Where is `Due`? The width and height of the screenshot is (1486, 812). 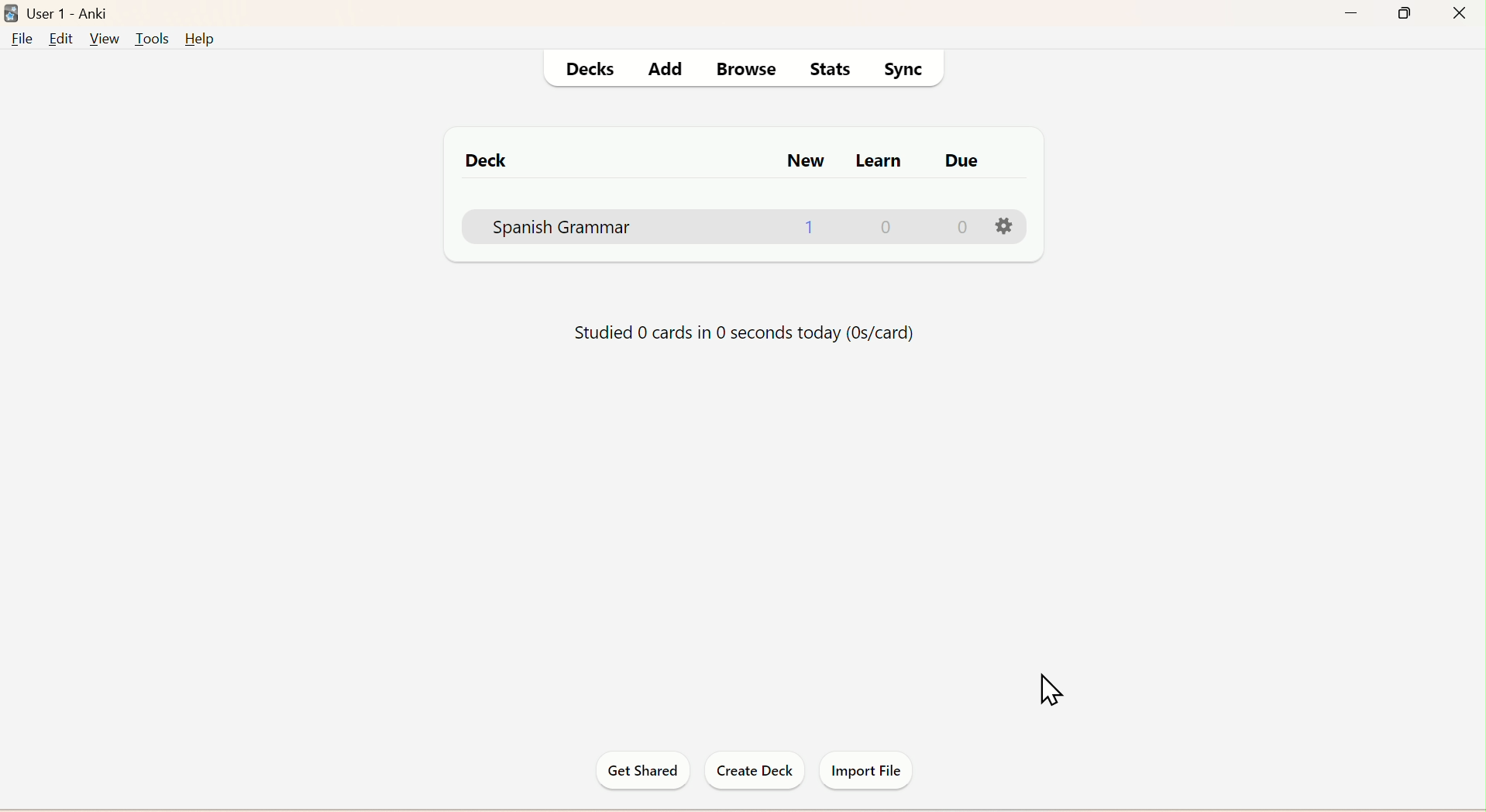 Due is located at coordinates (968, 158).